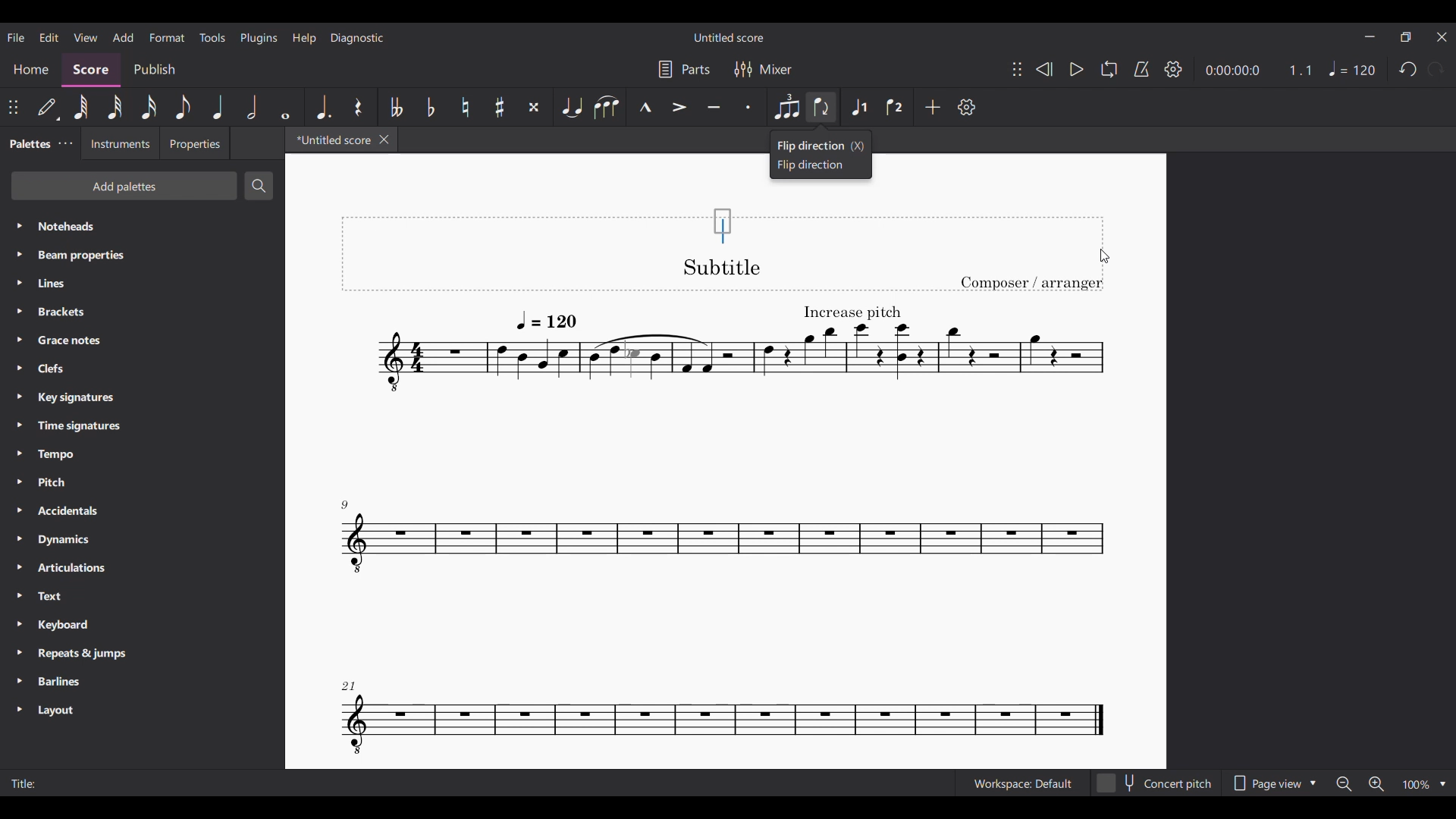  I want to click on Keyboard, so click(143, 624).